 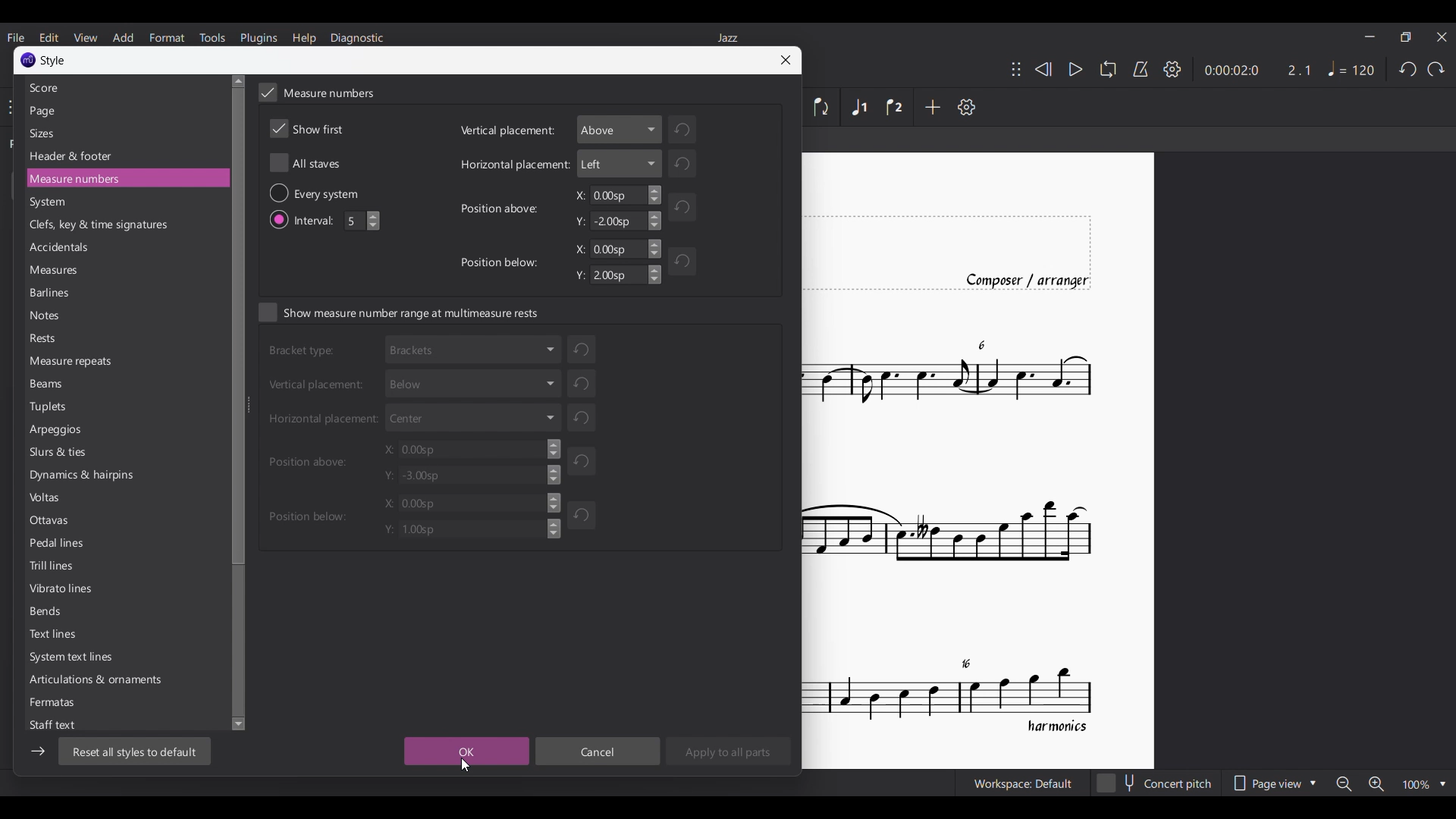 What do you see at coordinates (475, 416) in the screenshot?
I see `Center` at bounding box center [475, 416].